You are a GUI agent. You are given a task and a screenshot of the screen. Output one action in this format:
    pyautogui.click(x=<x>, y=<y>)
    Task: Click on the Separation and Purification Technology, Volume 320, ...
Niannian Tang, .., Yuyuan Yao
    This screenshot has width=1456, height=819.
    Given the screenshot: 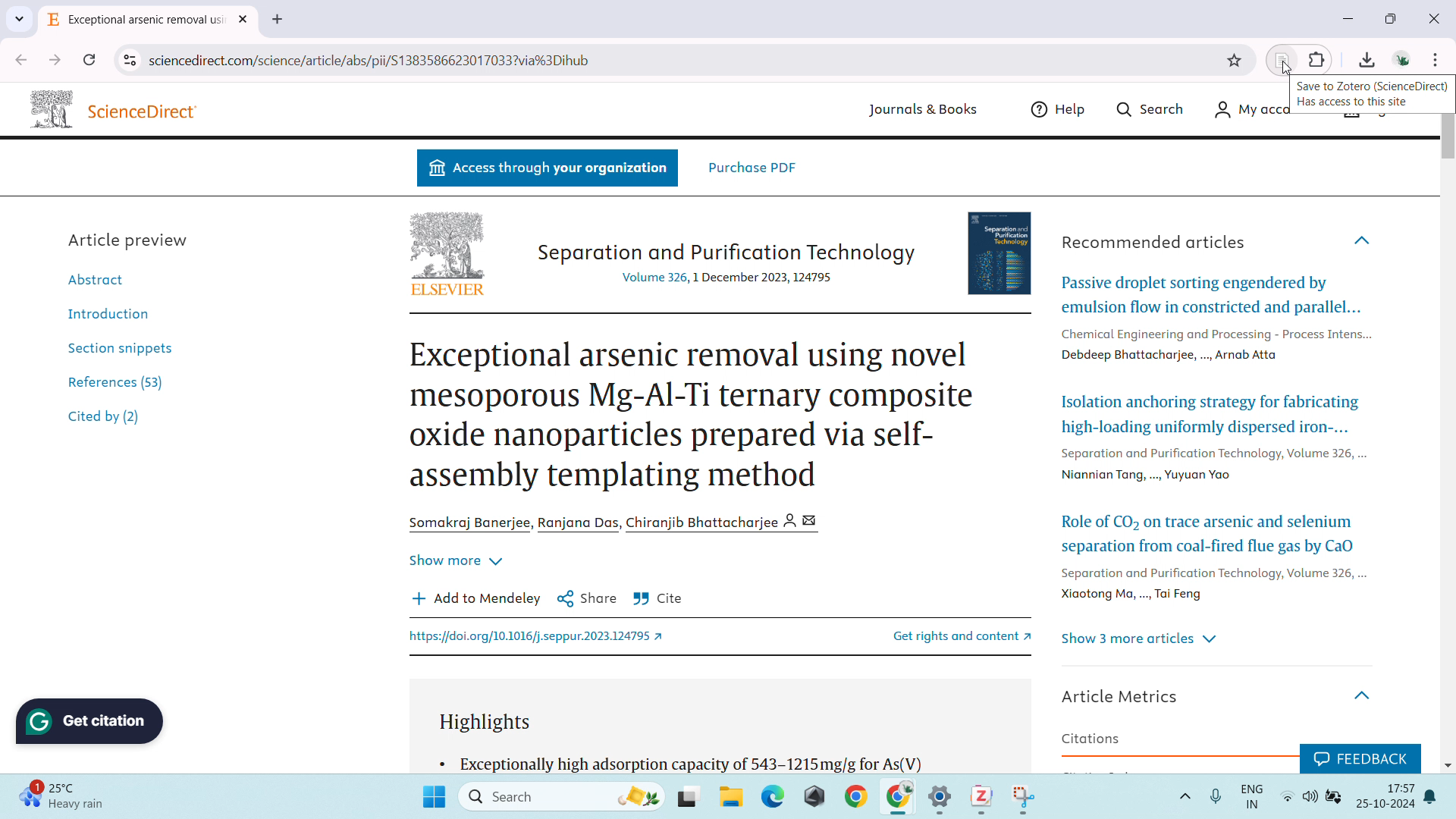 What is the action you would take?
    pyautogui.click(x=1214, y=466)
    